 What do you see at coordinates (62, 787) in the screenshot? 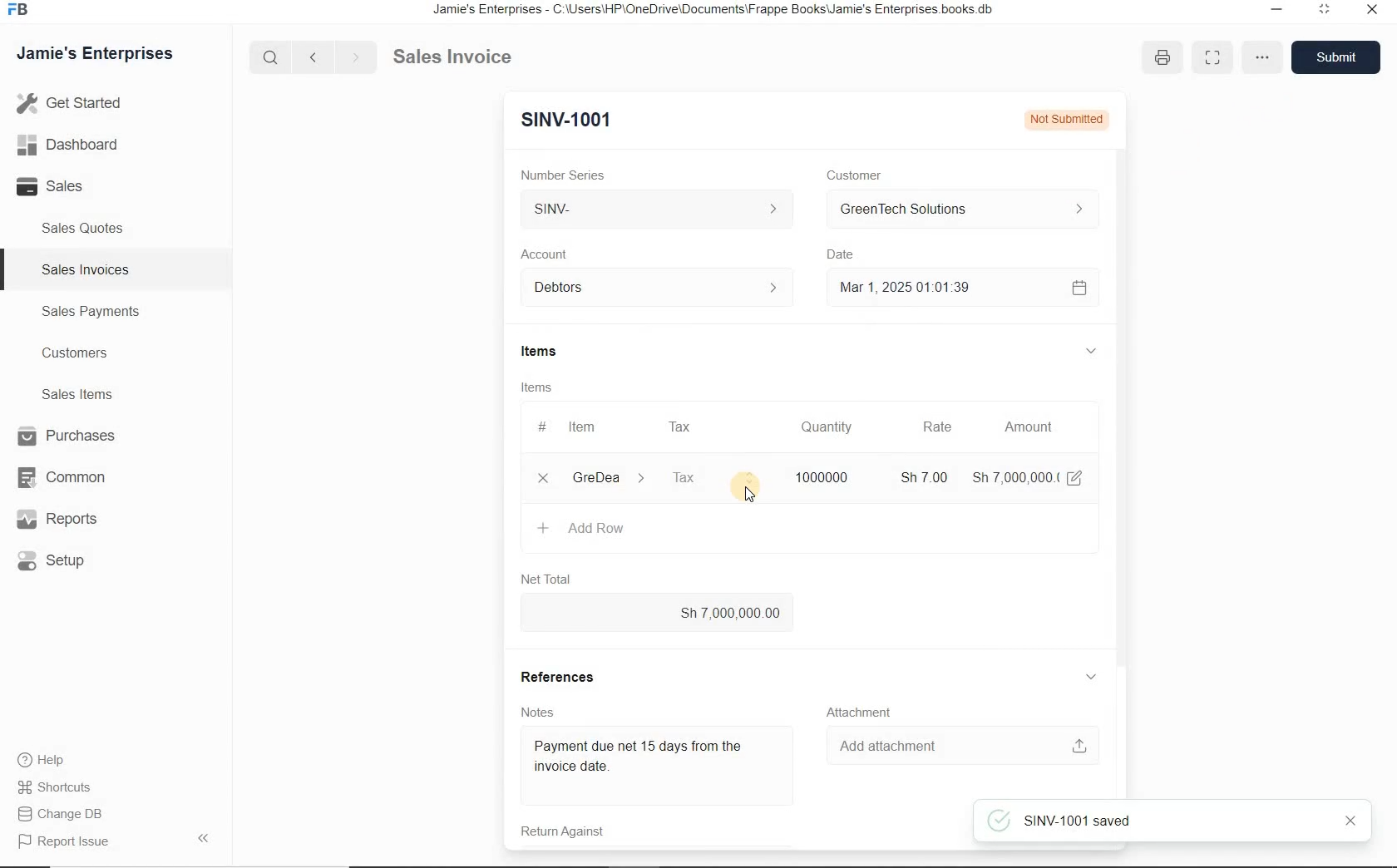
I see `Shortcuts` at bounding box center [62, 787].